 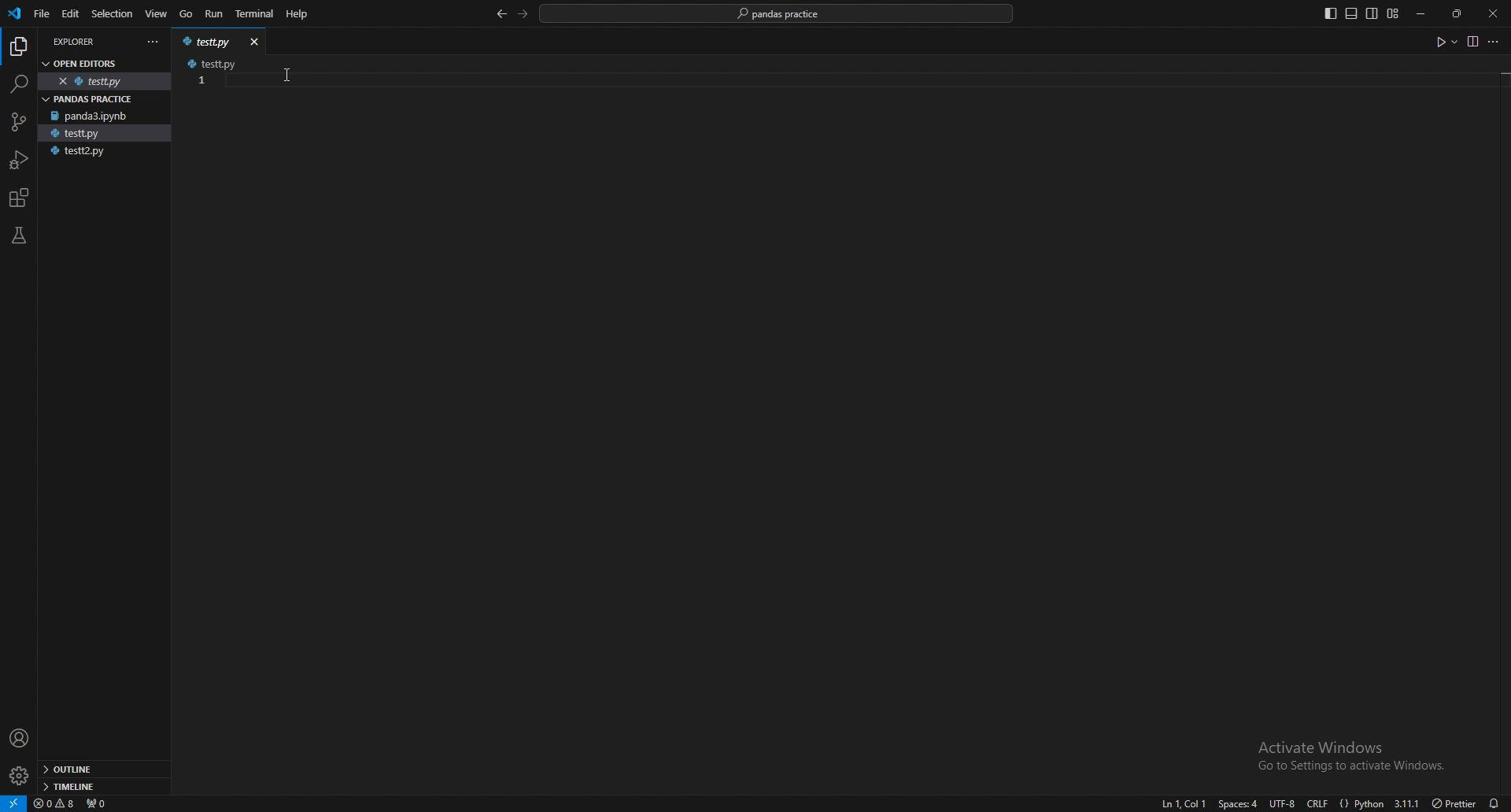 What do you see at coordinates (91, 40) in the screenshot?
I see `explorer` at bounding box center [91, 40].